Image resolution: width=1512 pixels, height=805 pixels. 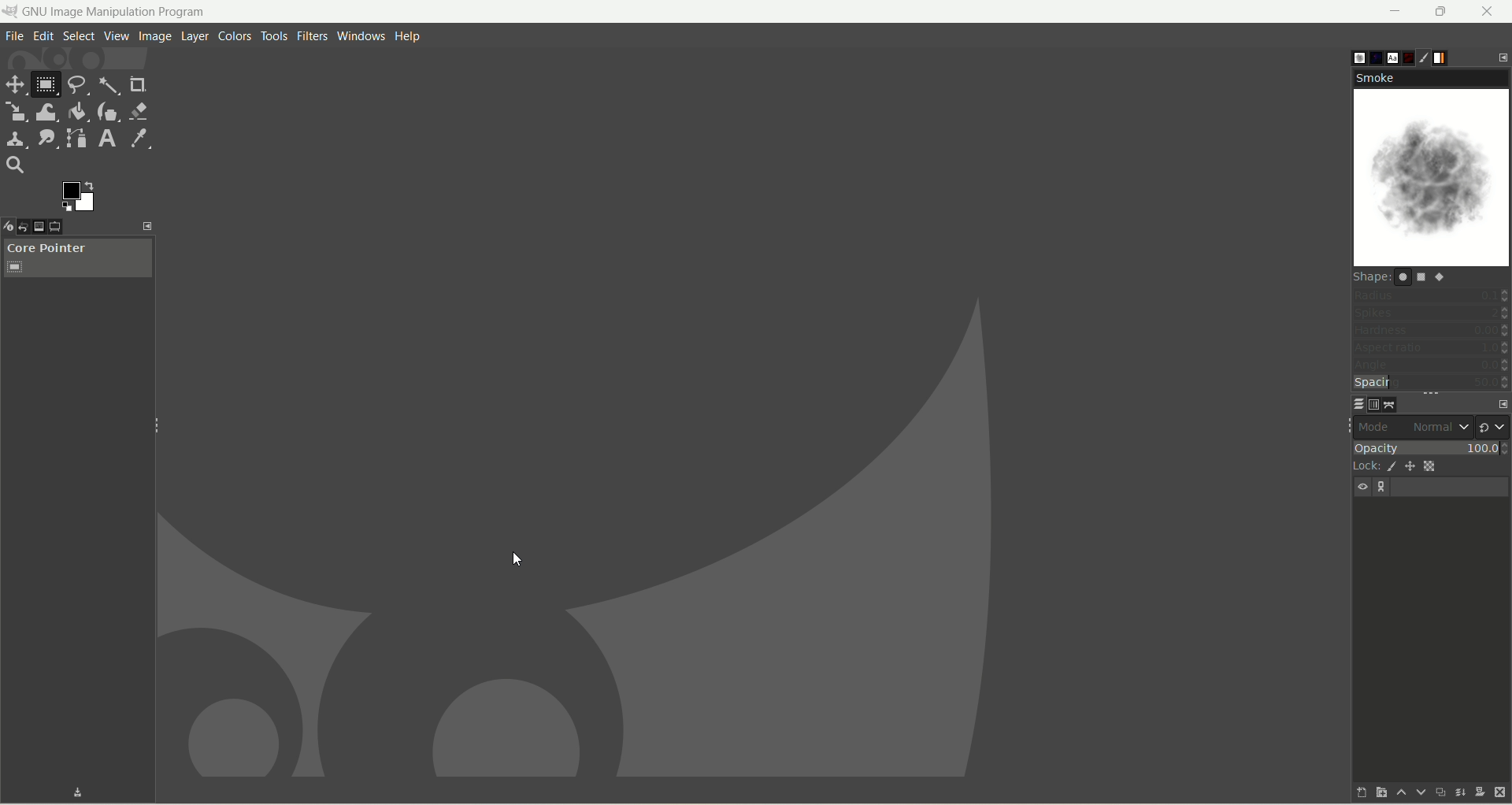 What do you see at coordinates (44, 36) in the screenshot?
I see `edit` at bounding box center [44, 36].